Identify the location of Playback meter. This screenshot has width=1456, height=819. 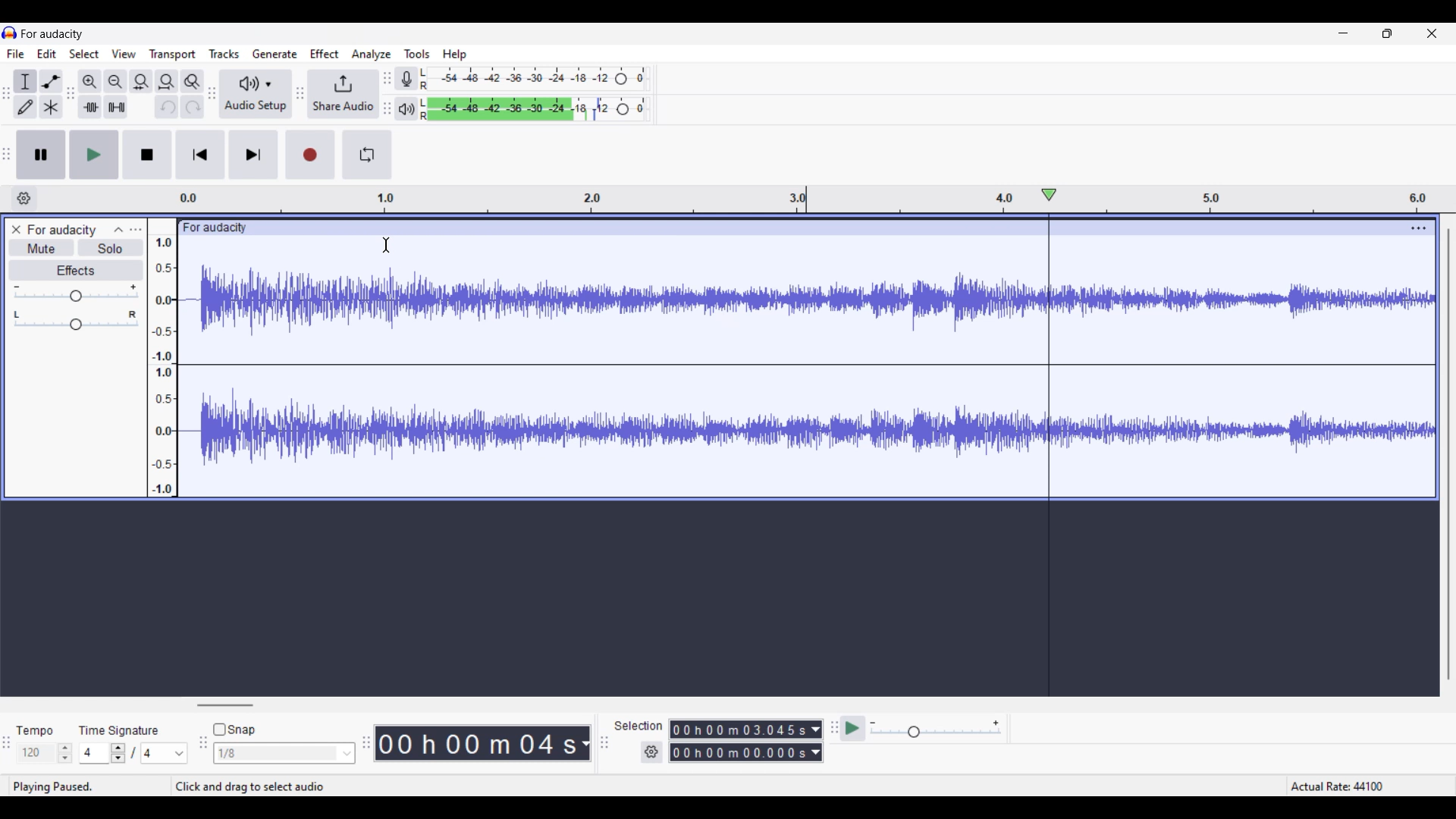
(405, 108).